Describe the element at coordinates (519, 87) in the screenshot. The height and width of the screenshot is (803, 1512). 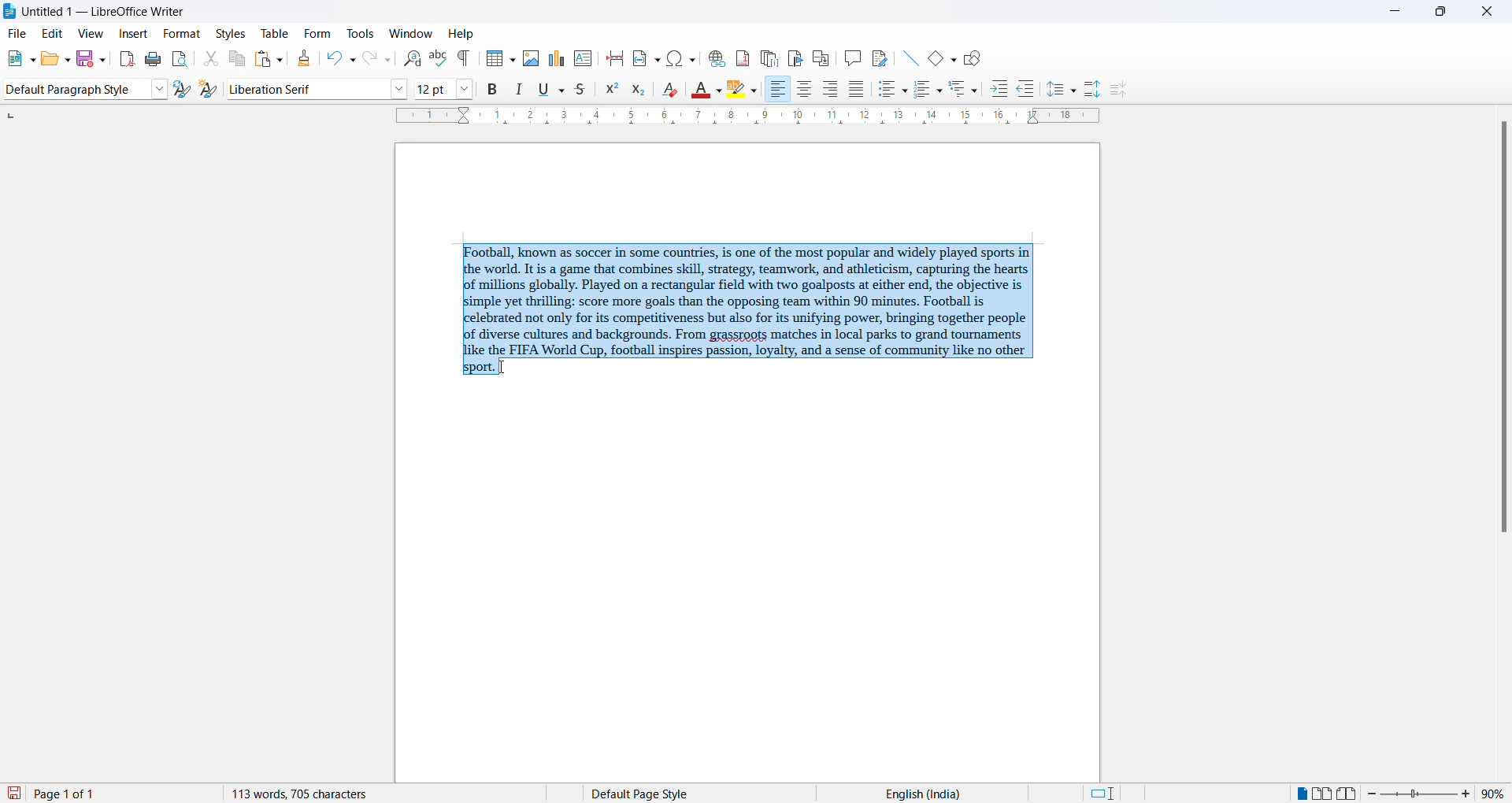
I see `italic` at that location.